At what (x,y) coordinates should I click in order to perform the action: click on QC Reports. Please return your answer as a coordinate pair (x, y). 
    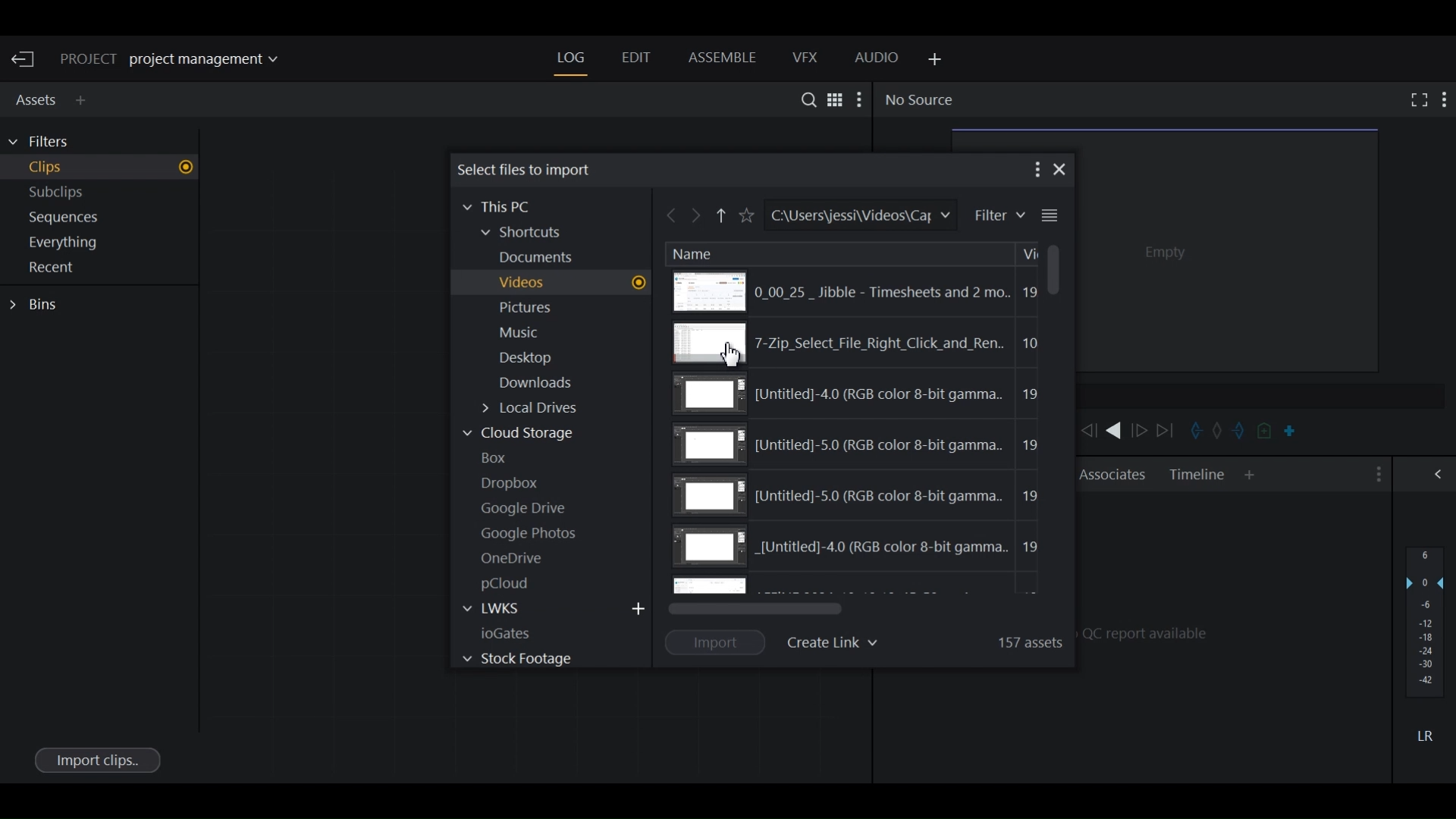
    Looking at the image, I should click on (1234, 631).